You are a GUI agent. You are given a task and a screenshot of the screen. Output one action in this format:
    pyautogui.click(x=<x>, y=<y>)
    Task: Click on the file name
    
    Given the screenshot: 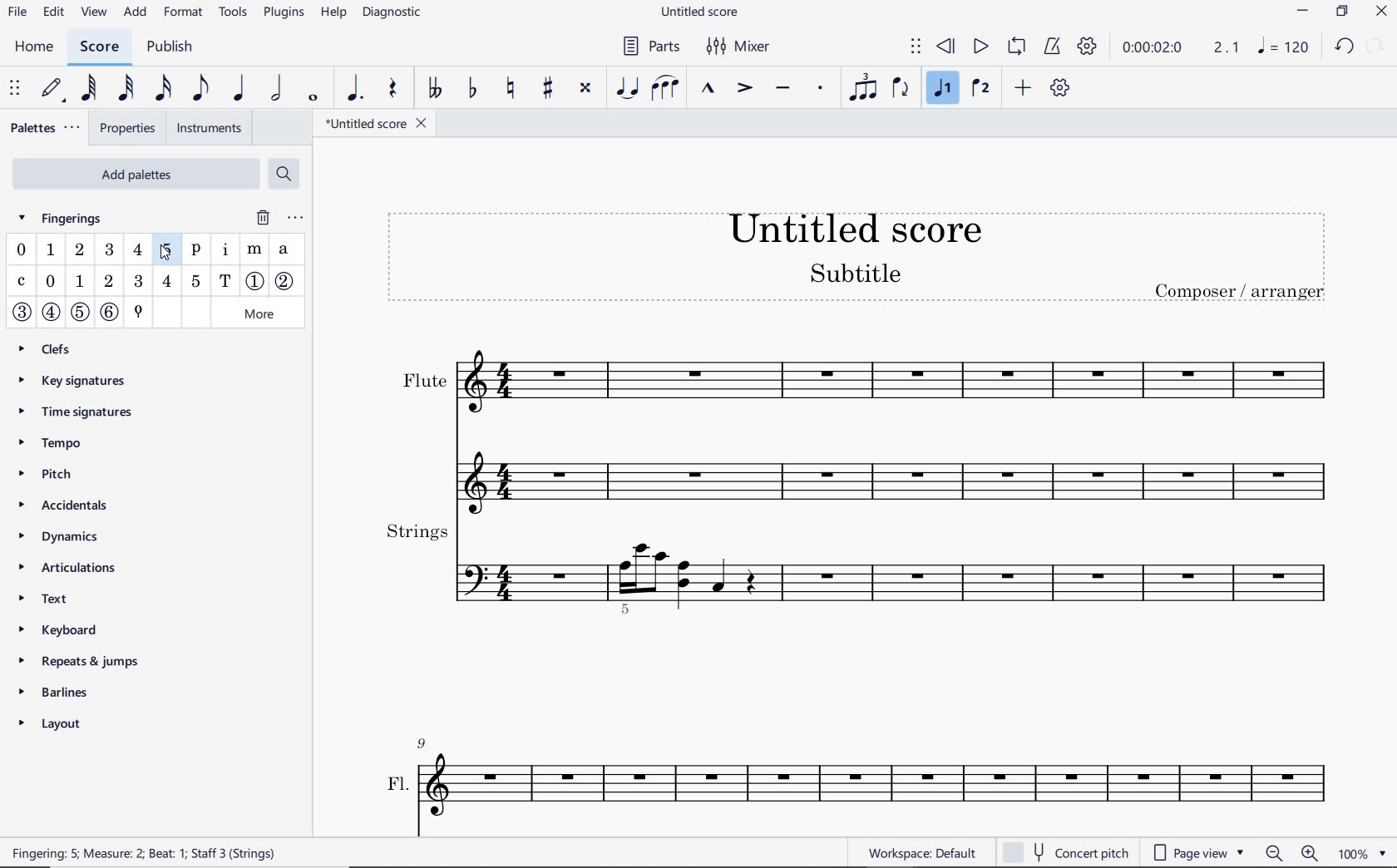 What is the action you would take?
    pyautogui.click(x=375, y=124)
    